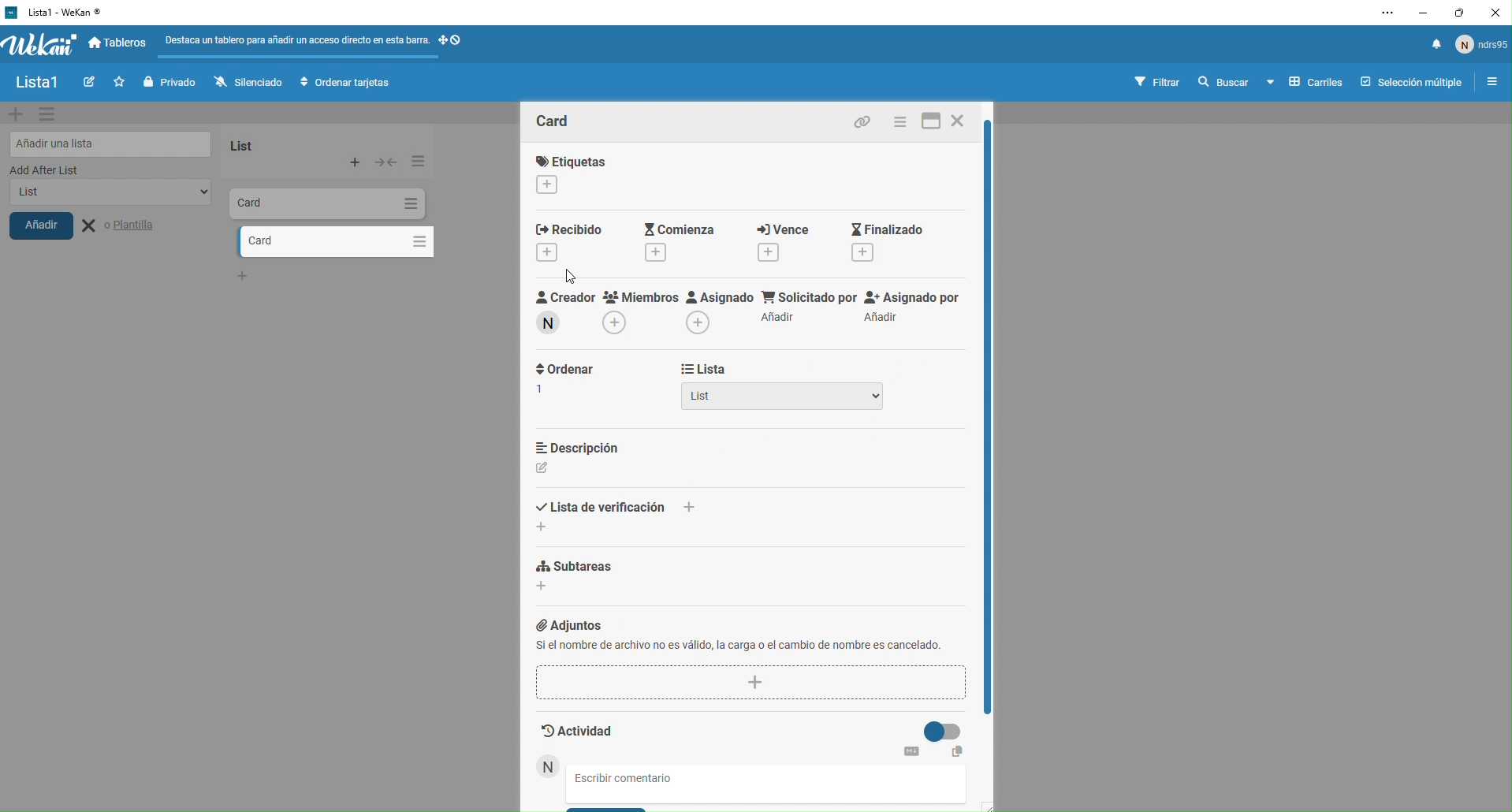  What do you see at coordinates (640, 316) in the screenshot?
I see `Miembros` at bounding box center [640, 316].